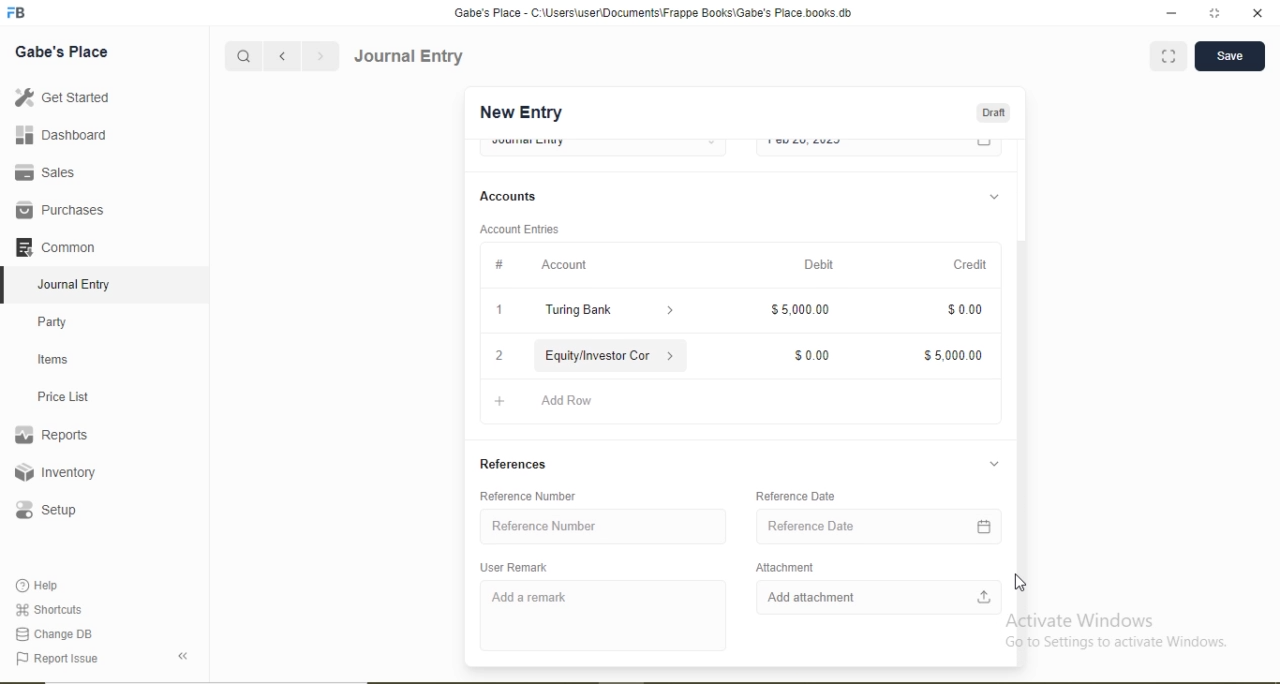 This screenshot has width=1280, height=684. I want to click on Attachment, so click(784, 567).